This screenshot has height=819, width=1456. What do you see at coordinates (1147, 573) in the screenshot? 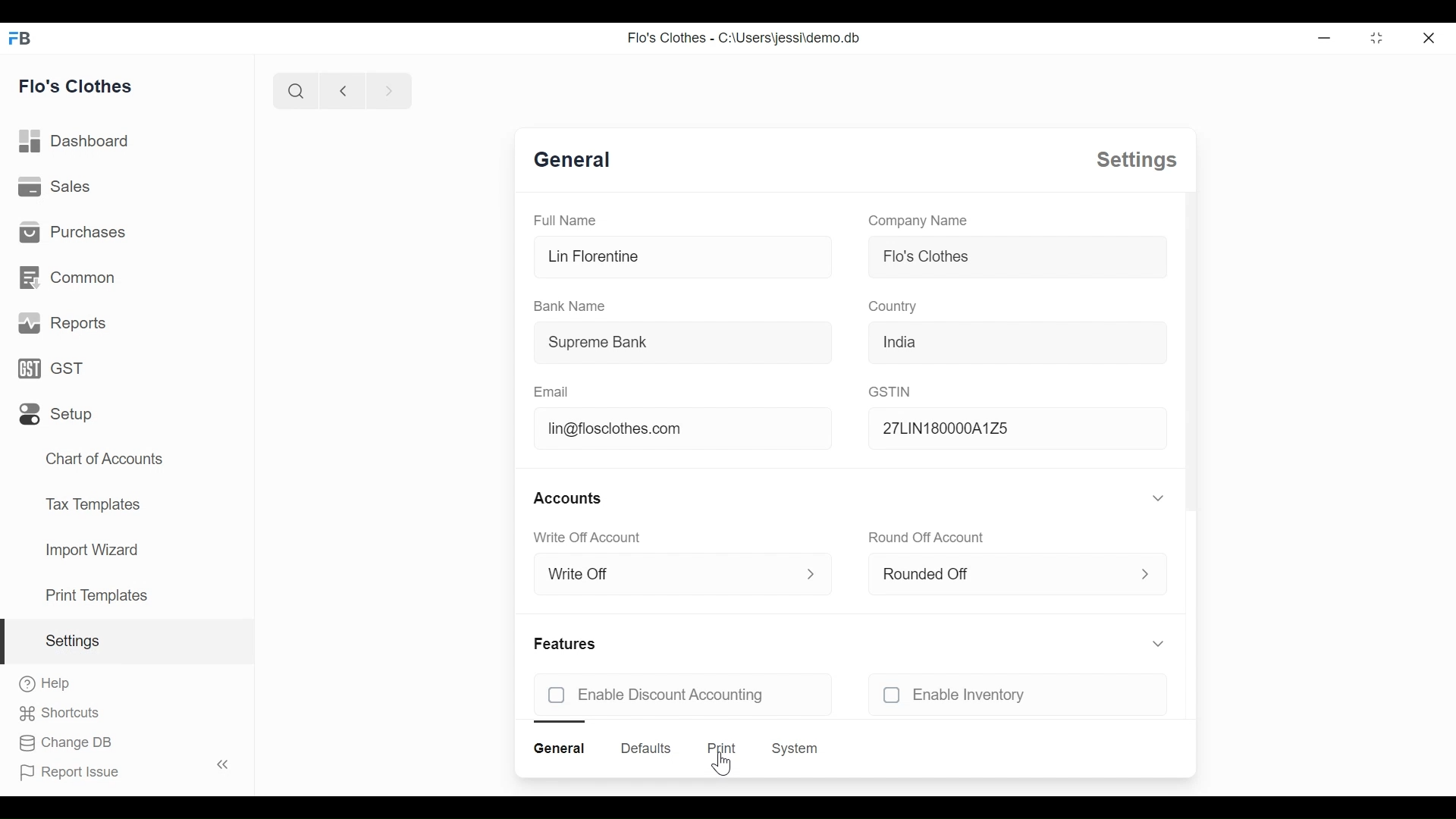
I see `account information` at bounding box center [1147, 573].